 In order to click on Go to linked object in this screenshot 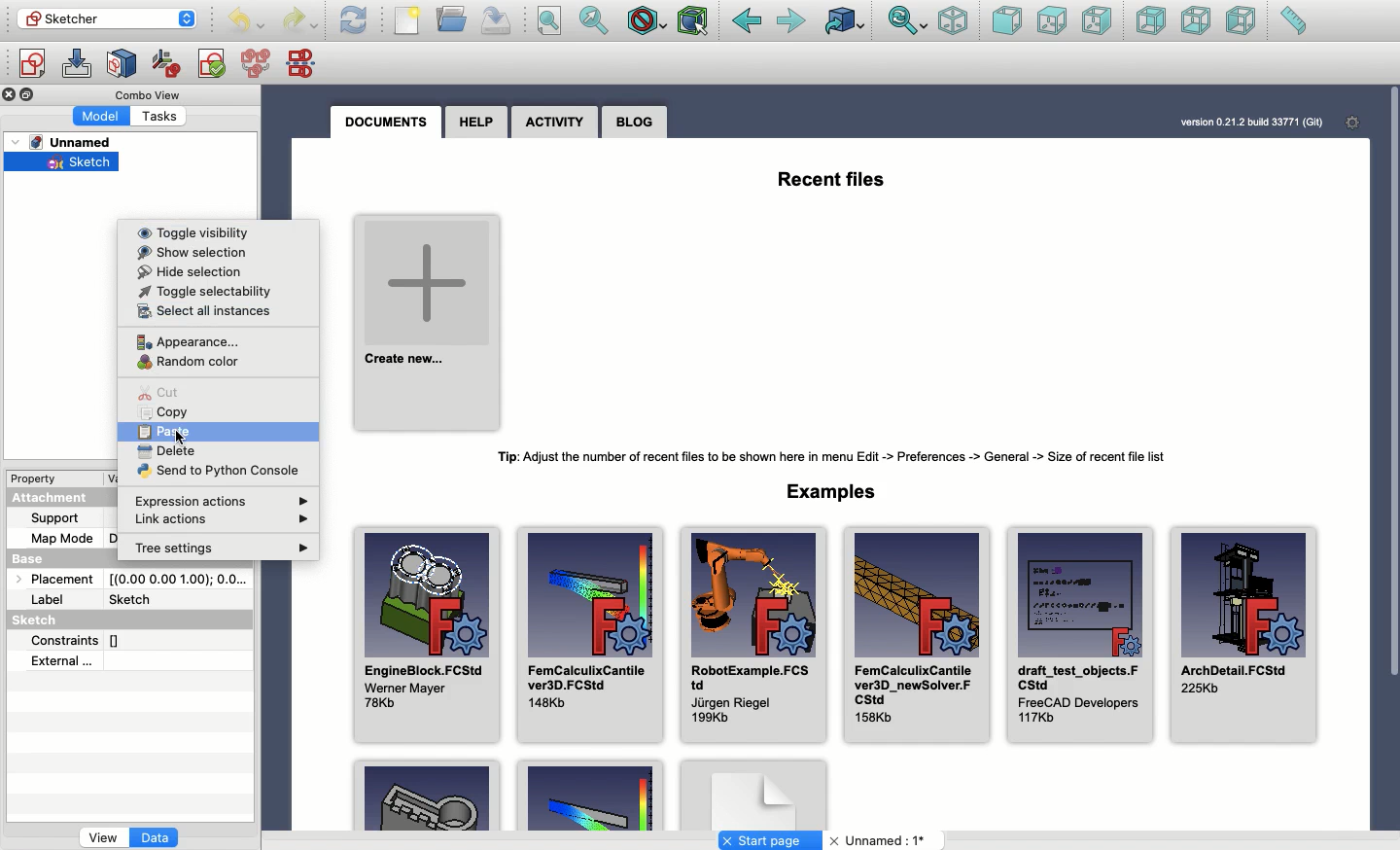, I will do `click(846, 20)`.